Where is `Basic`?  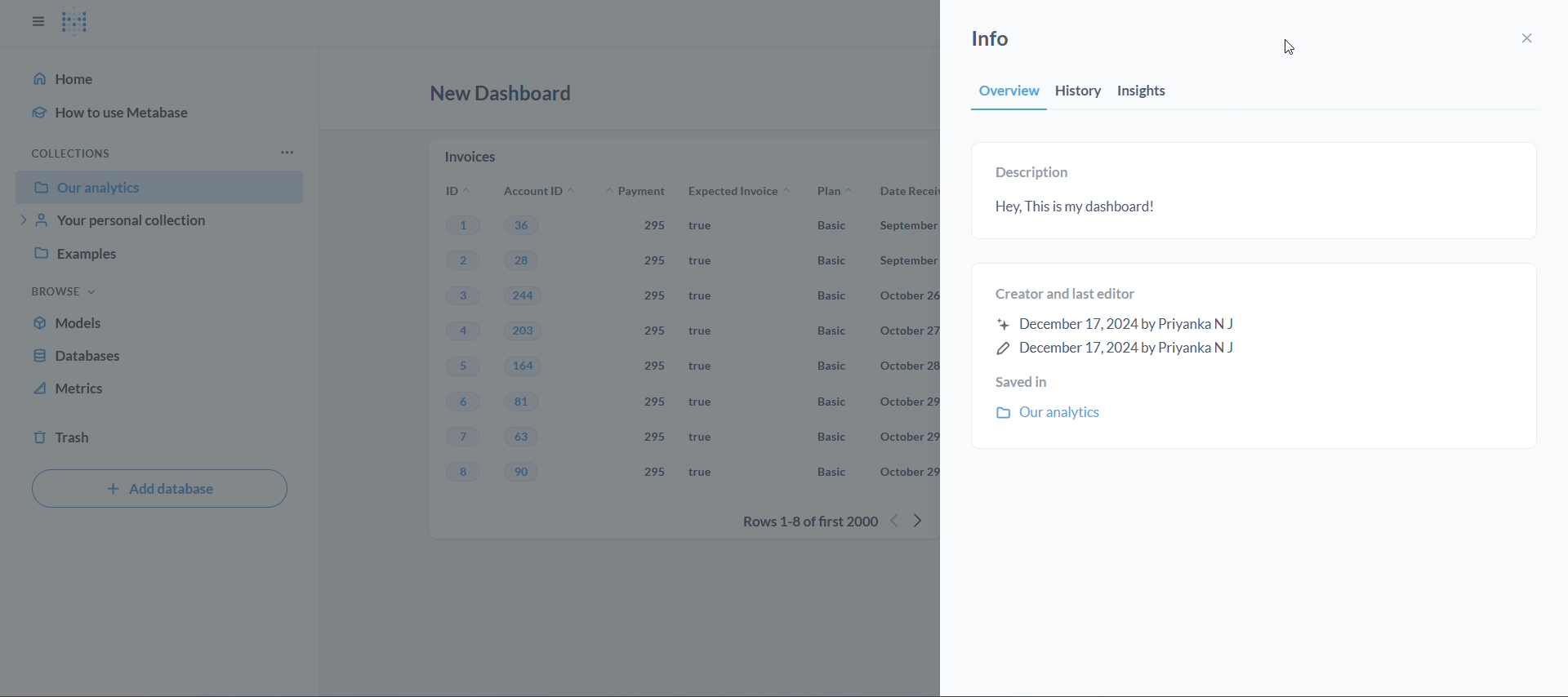 Basic is located at coordinates (827, 300).